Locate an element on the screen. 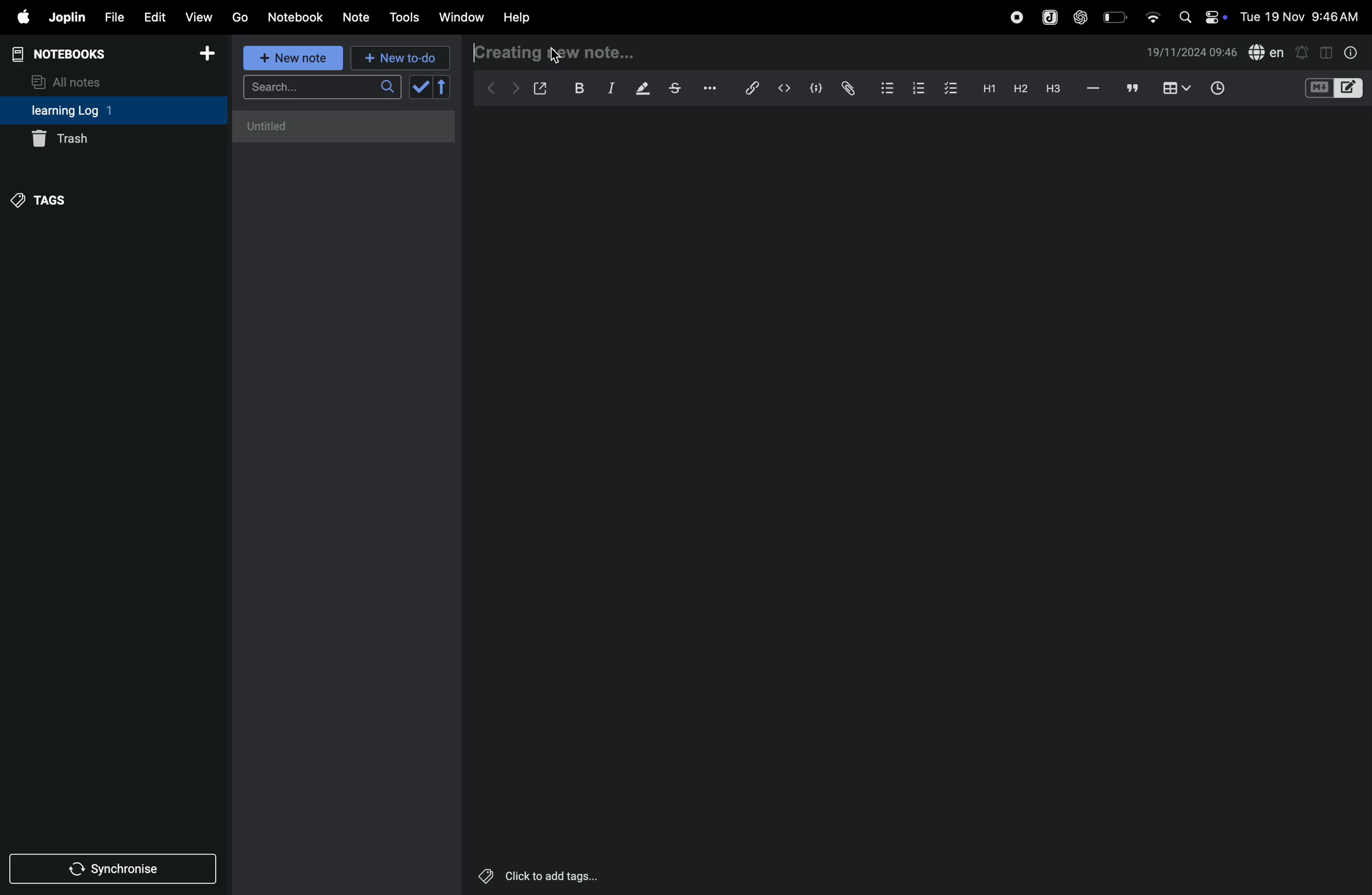 Image resolution: width=1372 pixels, height=895 pixels. add is located at coordinates (208, 57).